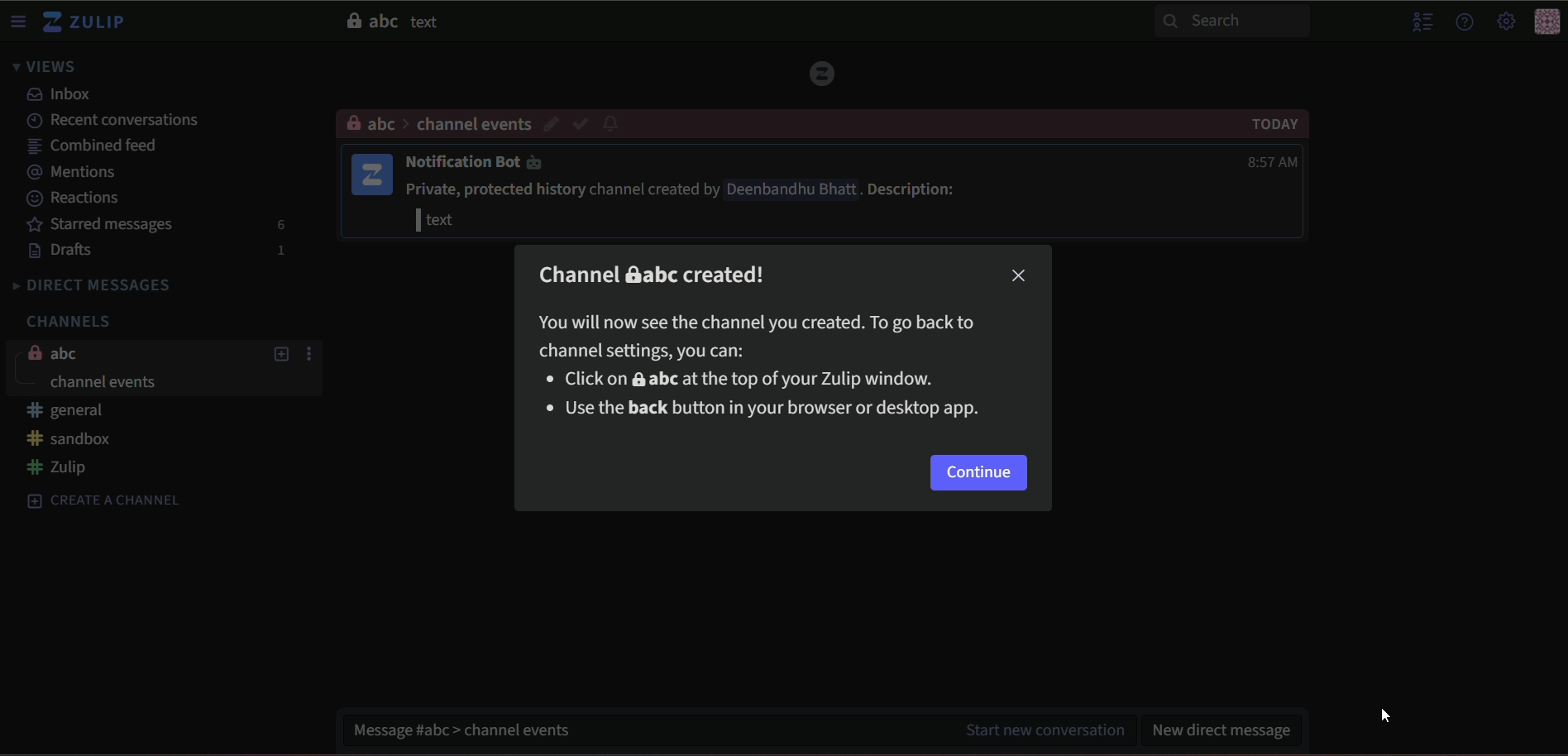 This screenshot has width=1568, height=756. I want to click on add, so click(280, 356).